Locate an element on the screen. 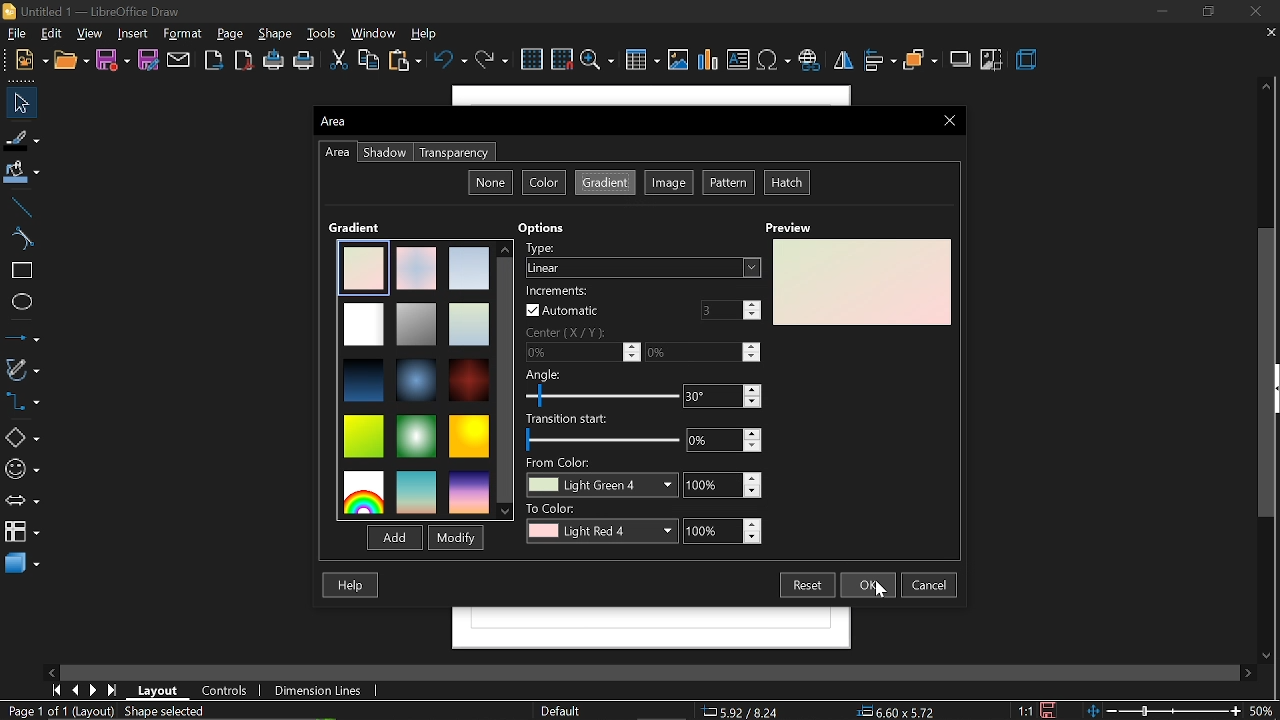 This screenshot has width=1280, height=720. close is located at coordinates (950, 120).